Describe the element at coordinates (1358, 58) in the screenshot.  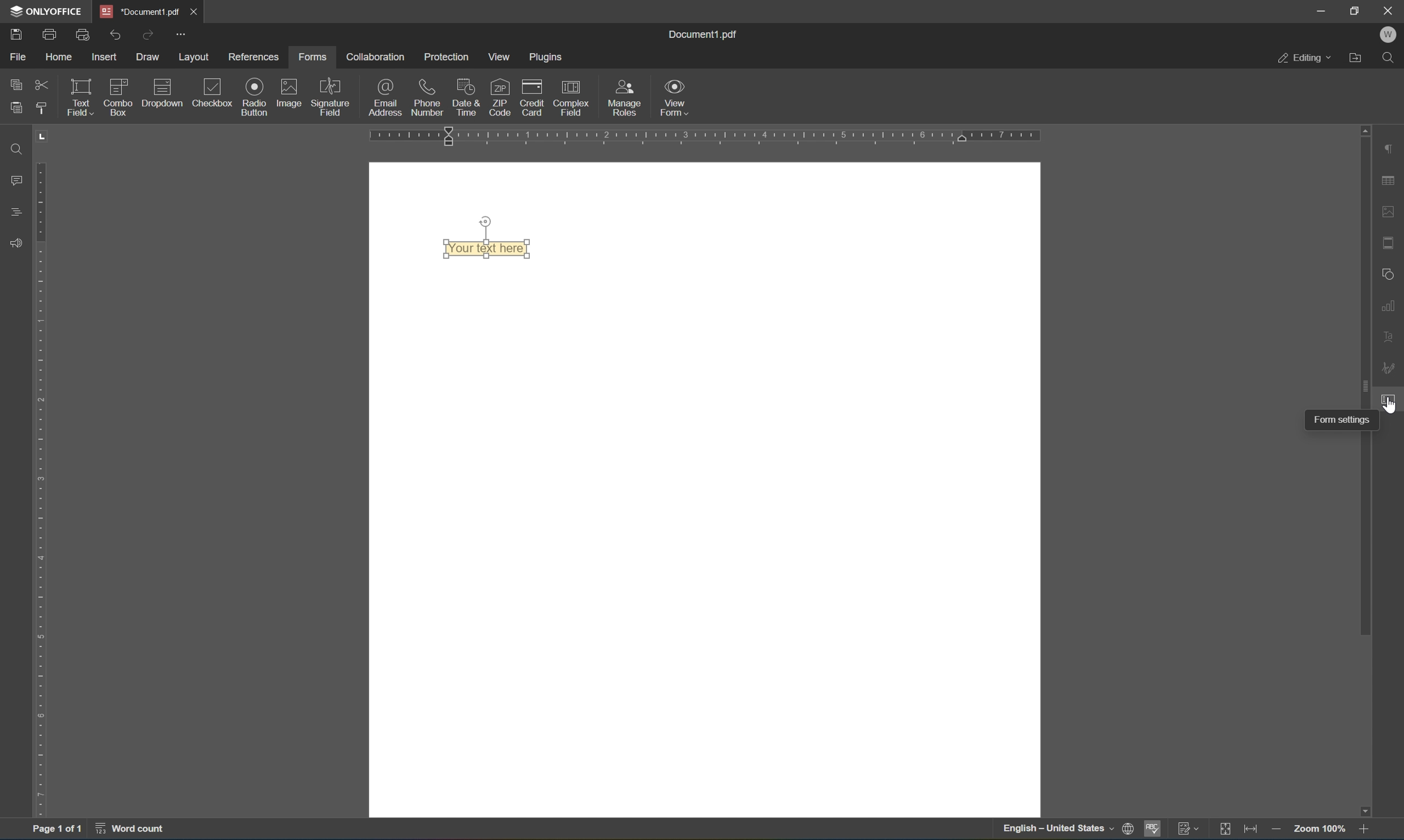
I see `open file location` at that location.